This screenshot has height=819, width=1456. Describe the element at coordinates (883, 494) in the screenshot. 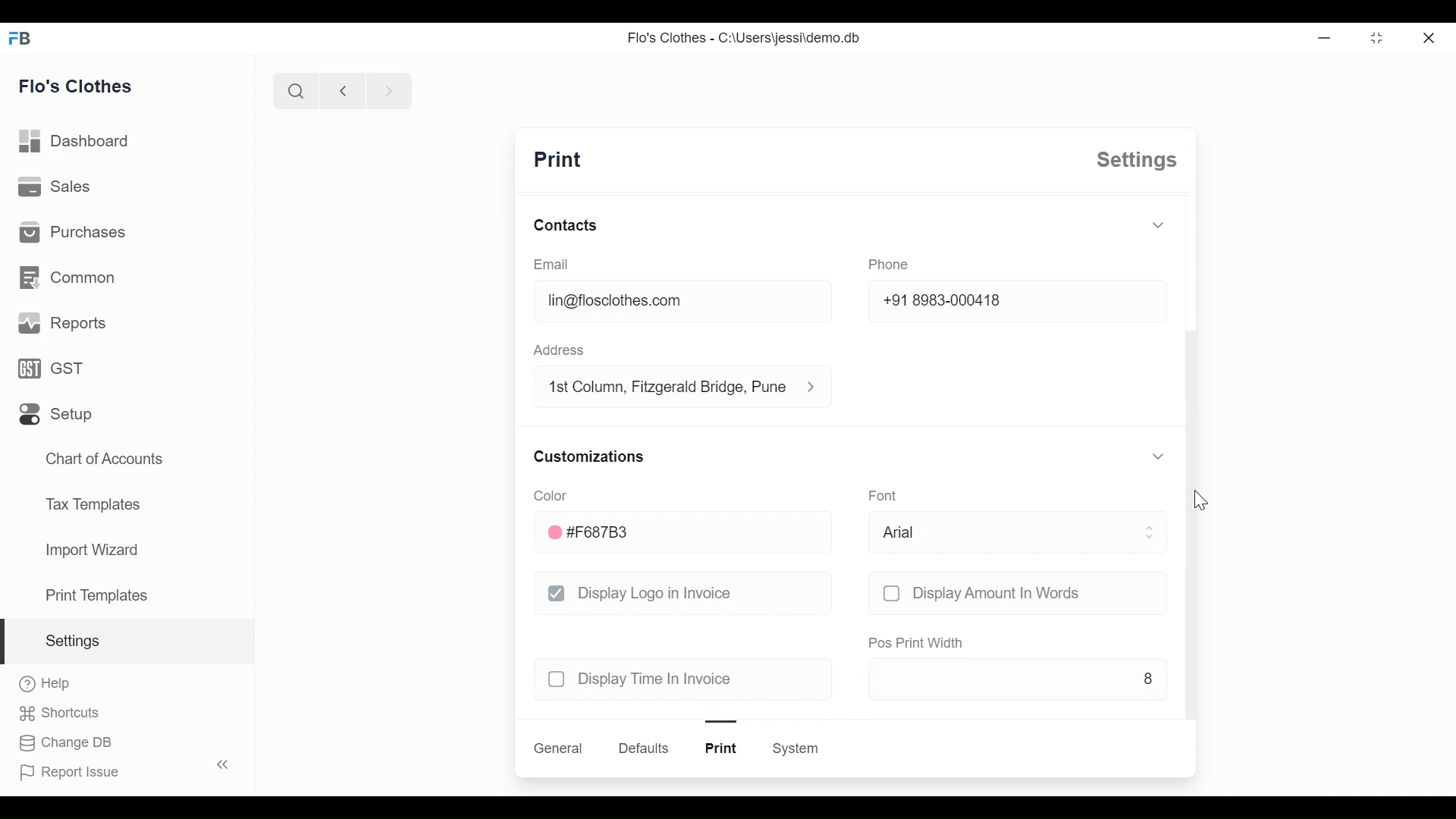

I see `font` at that location.